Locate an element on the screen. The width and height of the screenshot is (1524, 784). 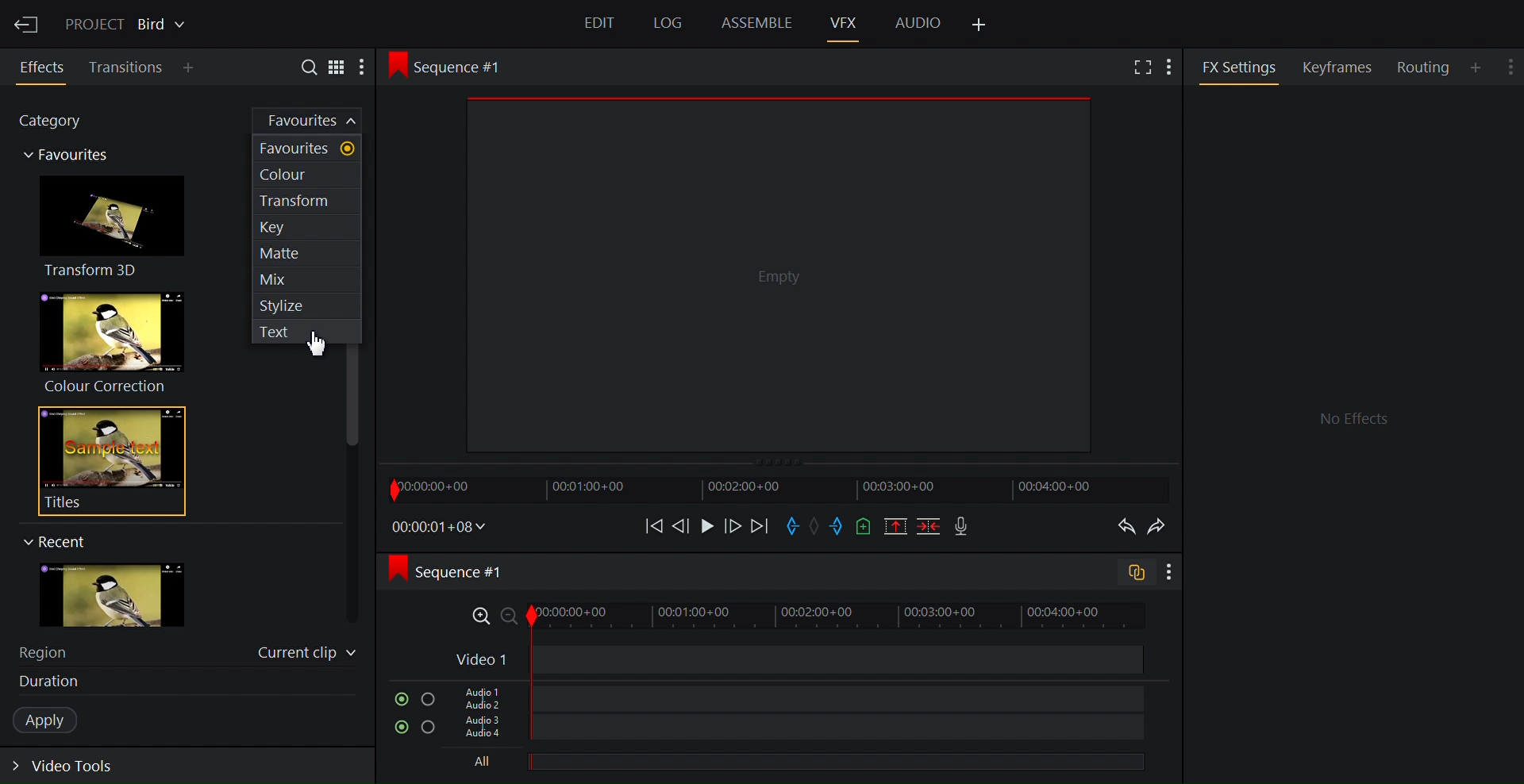
Move backward is located at coordinates (648, 525).